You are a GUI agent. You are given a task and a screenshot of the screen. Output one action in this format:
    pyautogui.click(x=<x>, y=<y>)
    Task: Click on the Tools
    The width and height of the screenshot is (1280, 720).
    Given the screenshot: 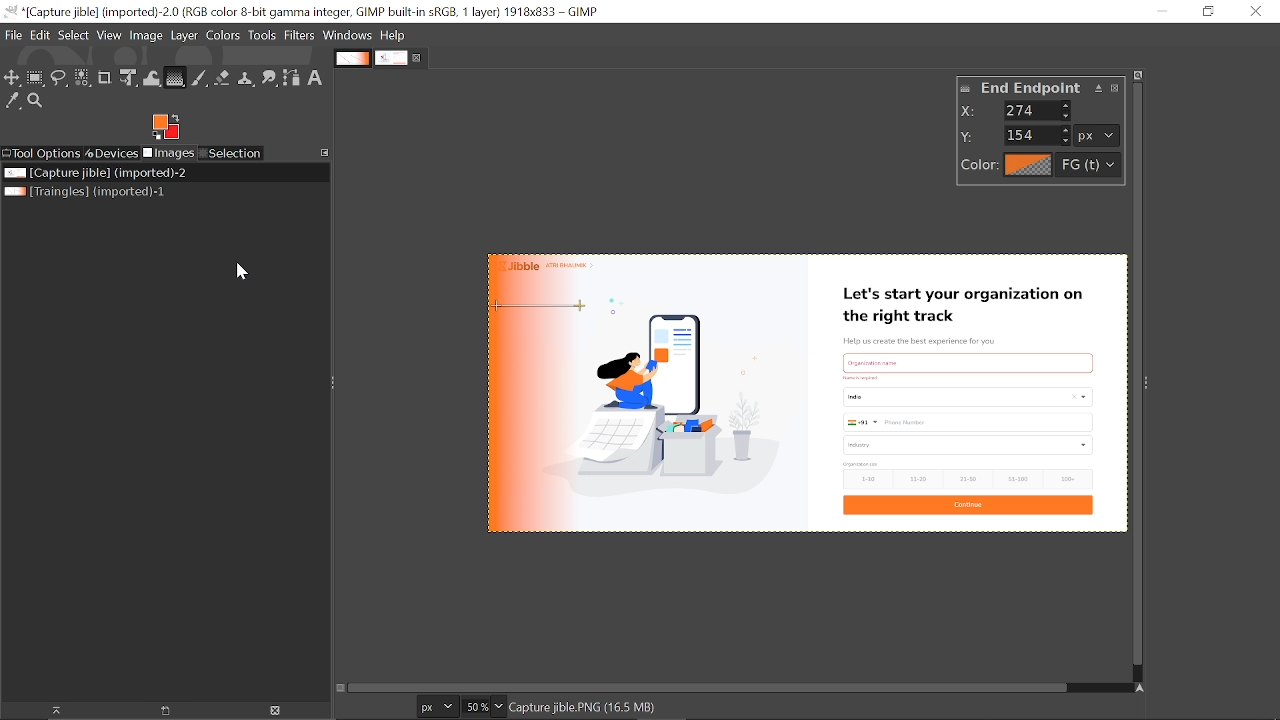 What is the action you would take?
    pyautogui.click(x=264, y=35)
    